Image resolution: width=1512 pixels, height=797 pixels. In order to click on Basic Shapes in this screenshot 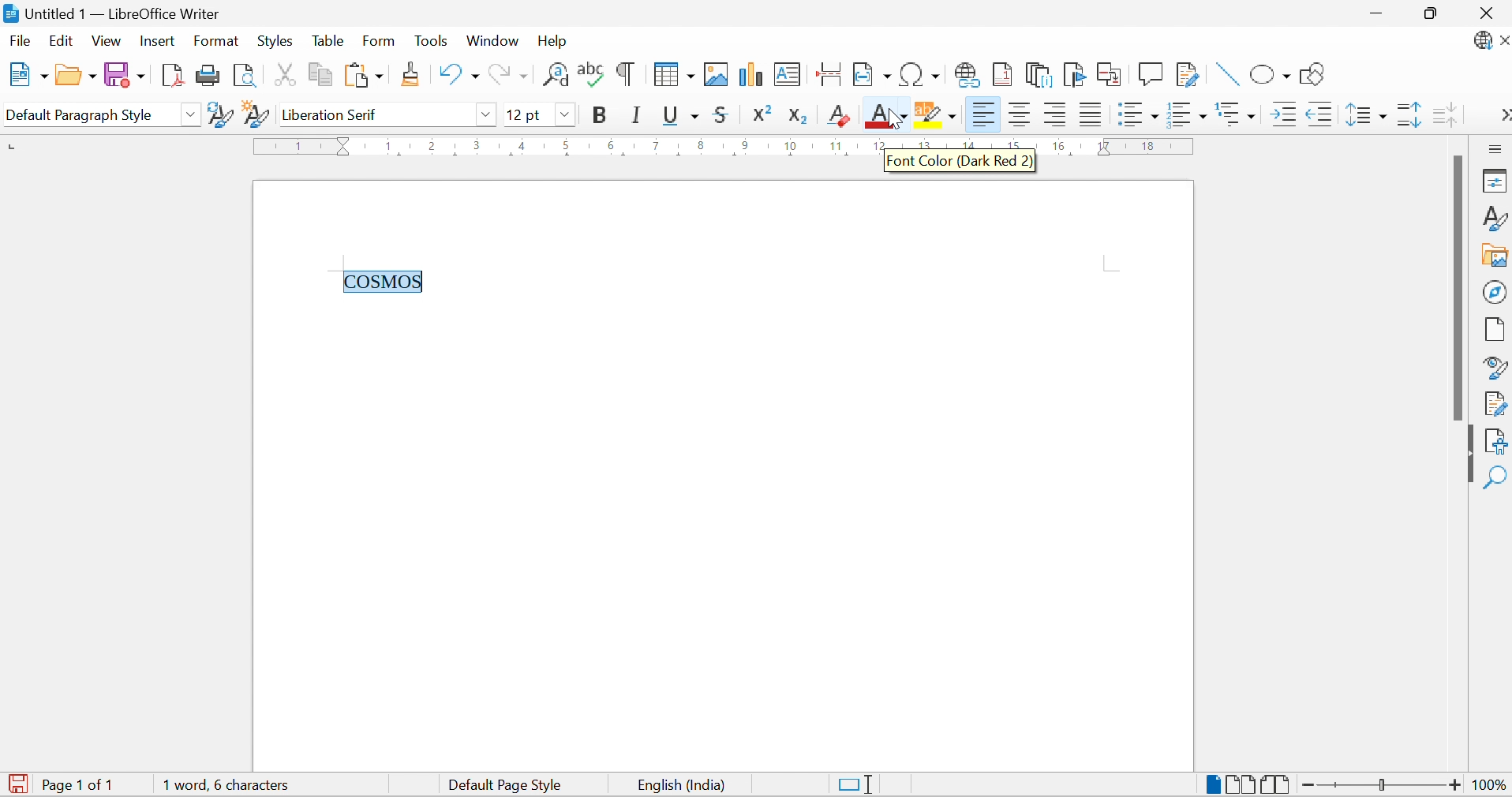, I will do `click(1271, 76)`.